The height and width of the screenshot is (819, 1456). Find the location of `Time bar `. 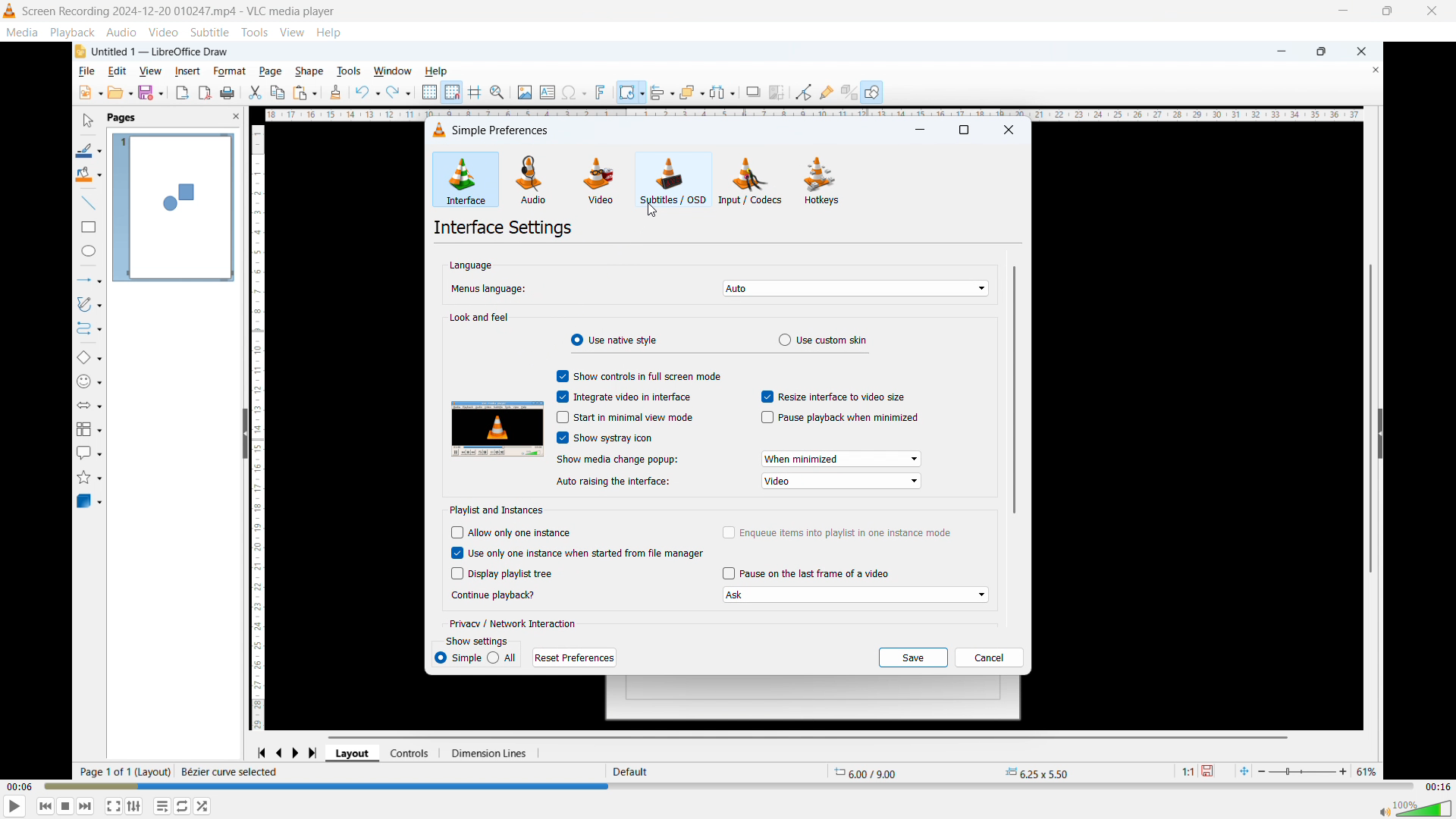

Time bar  is located at coordinates (730, 785).